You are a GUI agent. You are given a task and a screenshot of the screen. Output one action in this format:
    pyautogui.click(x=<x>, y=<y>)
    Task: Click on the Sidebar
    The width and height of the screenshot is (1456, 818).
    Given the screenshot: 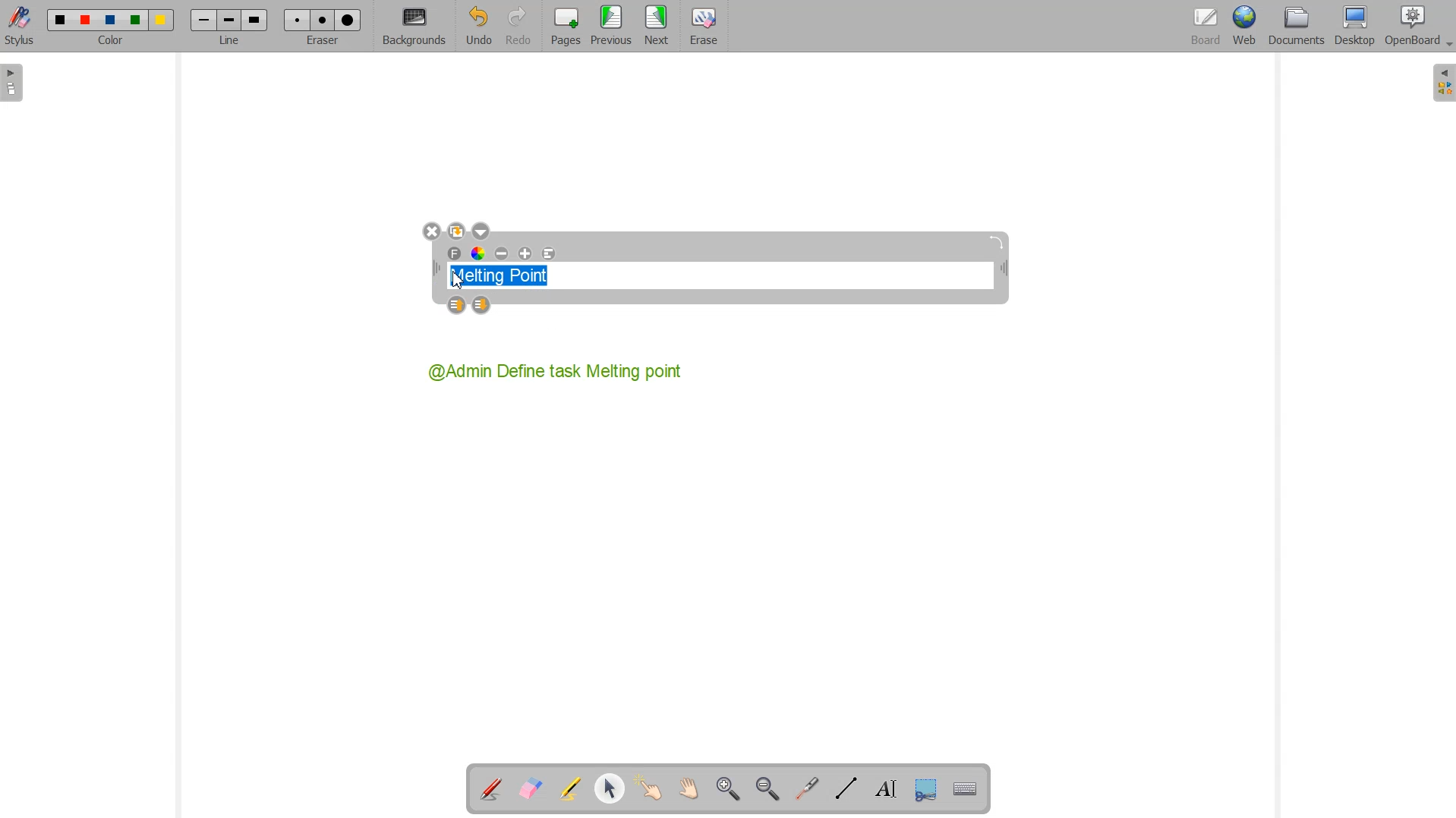 What is the action you would take?
    pyautogui.click(x=14, y=83)
    